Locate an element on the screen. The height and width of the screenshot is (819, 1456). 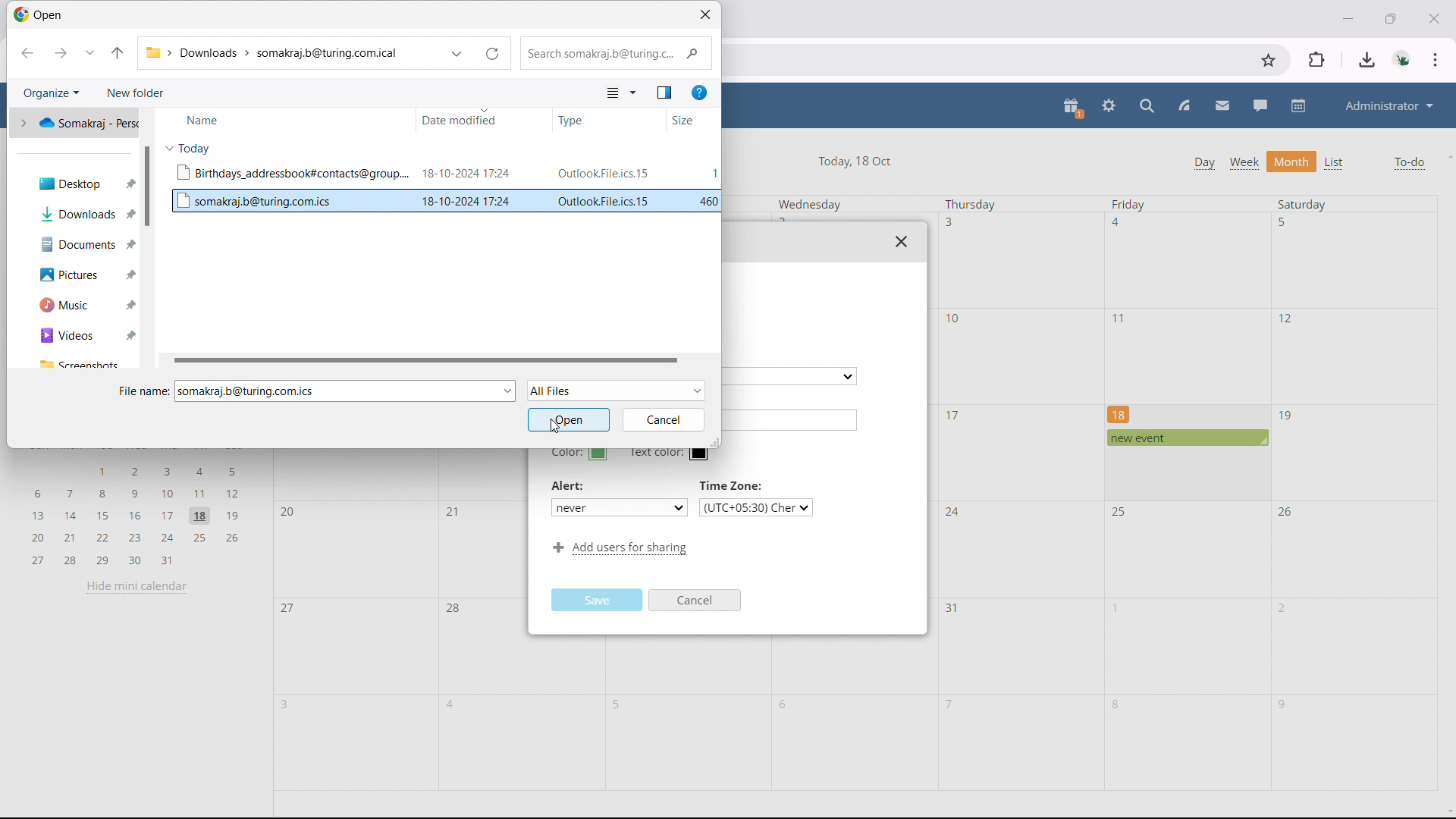
Outlook.File.ics.15 is located at coordinates (602, 173).